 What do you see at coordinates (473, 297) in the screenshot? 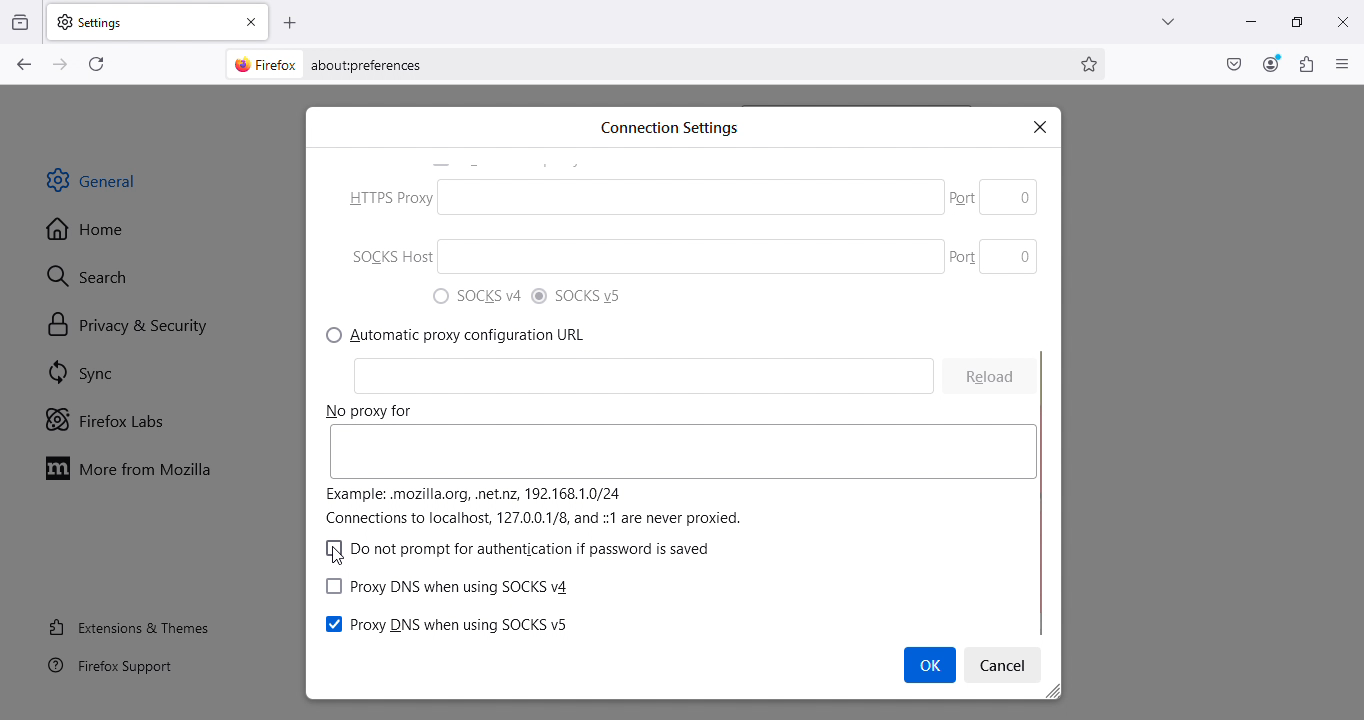
I see `) Use system proxy settings` at bounding box center [473, 297].